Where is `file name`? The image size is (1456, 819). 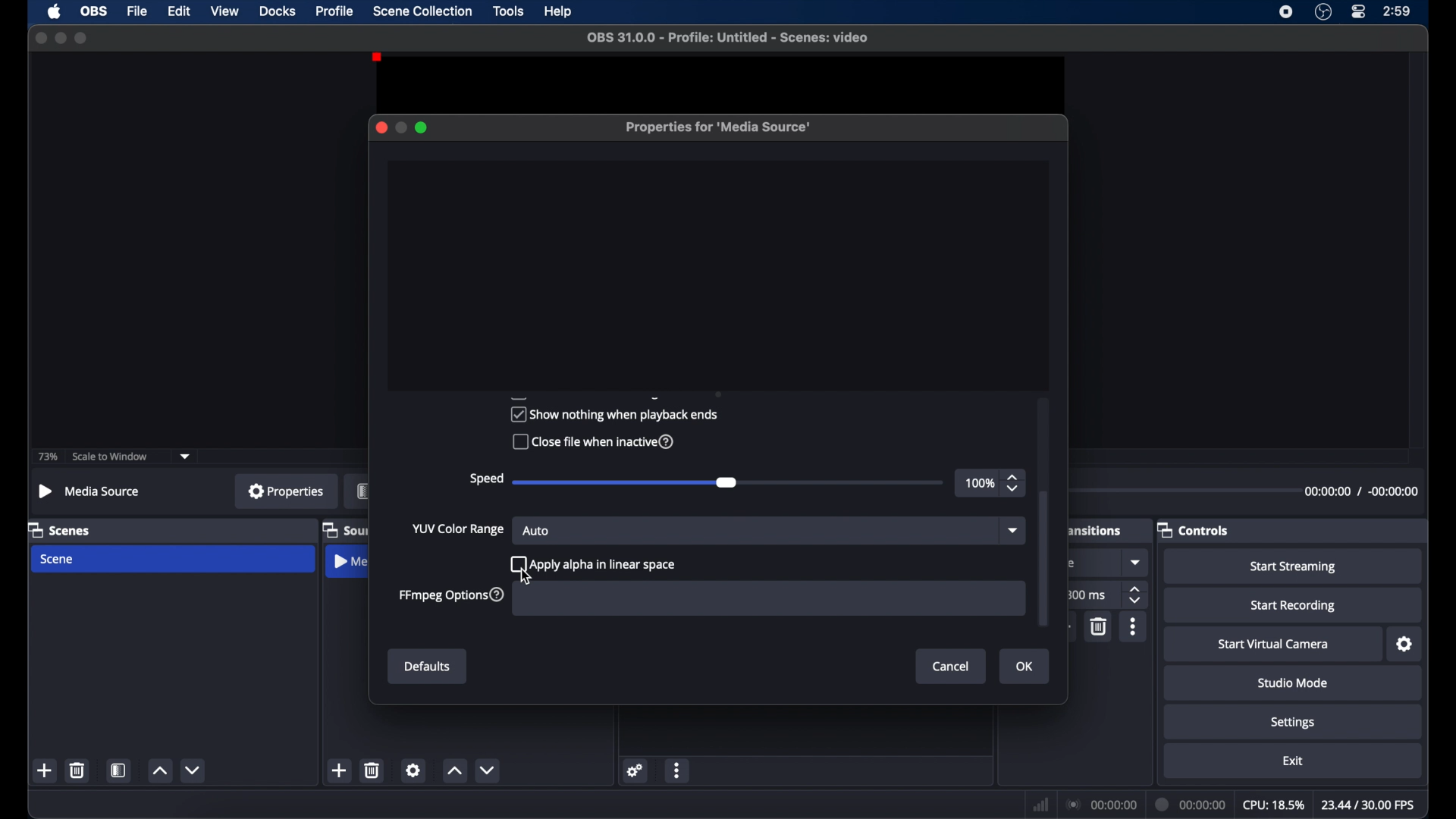
file name is located at coordinates (729, 38).